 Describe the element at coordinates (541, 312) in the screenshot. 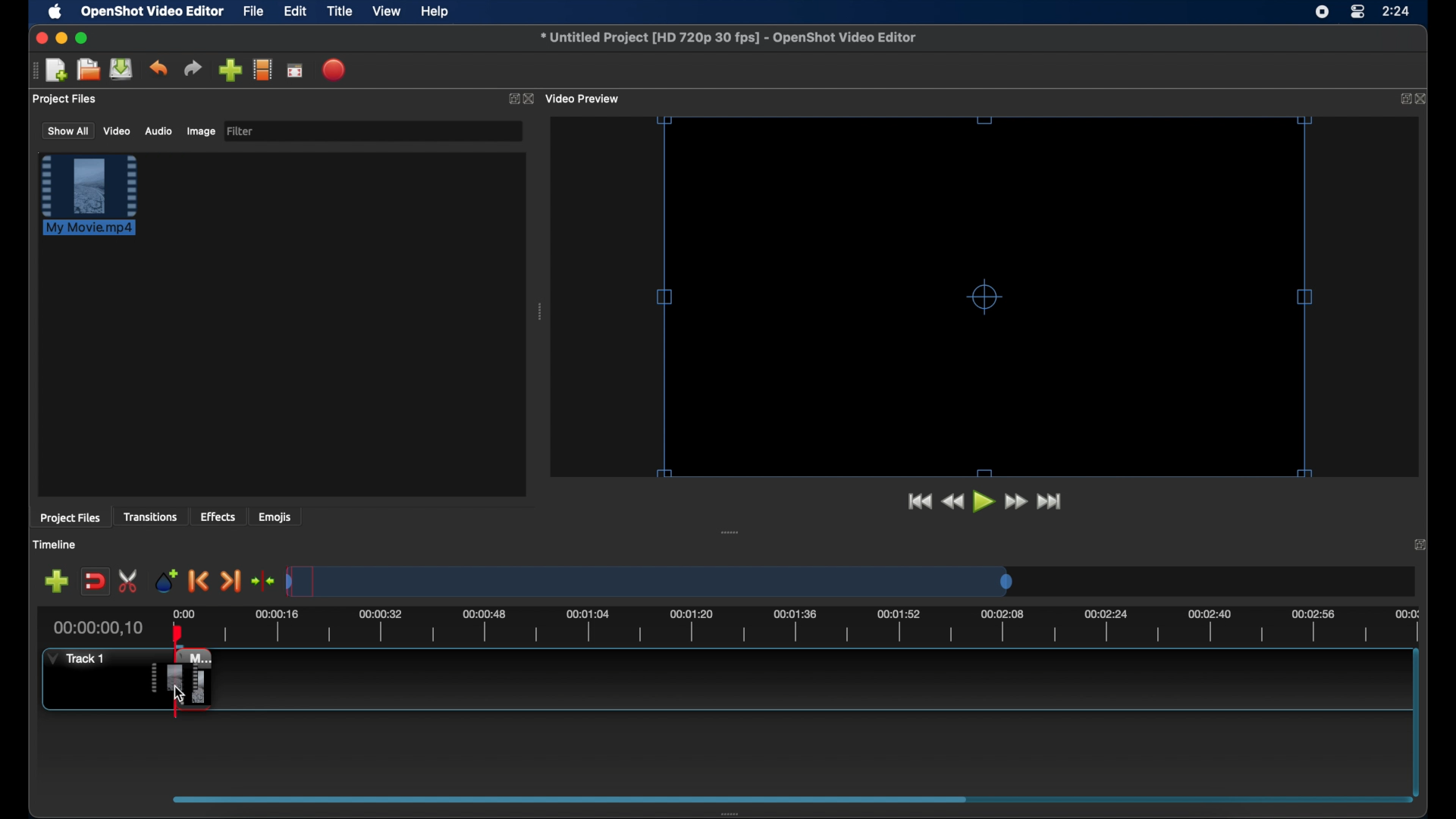

I see `drag handle` at that location.